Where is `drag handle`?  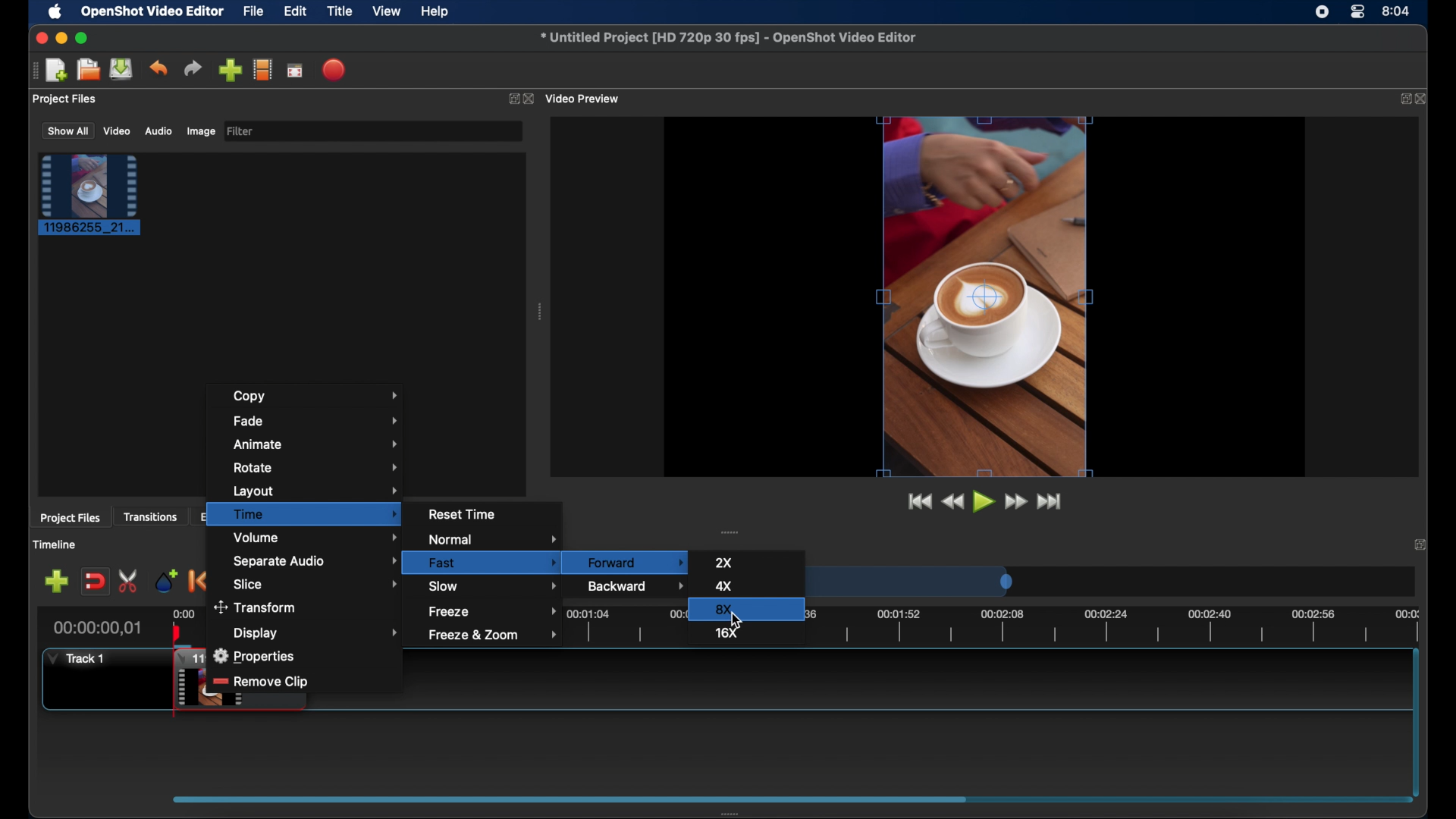 drag handle is located at coordinates (32, 71).